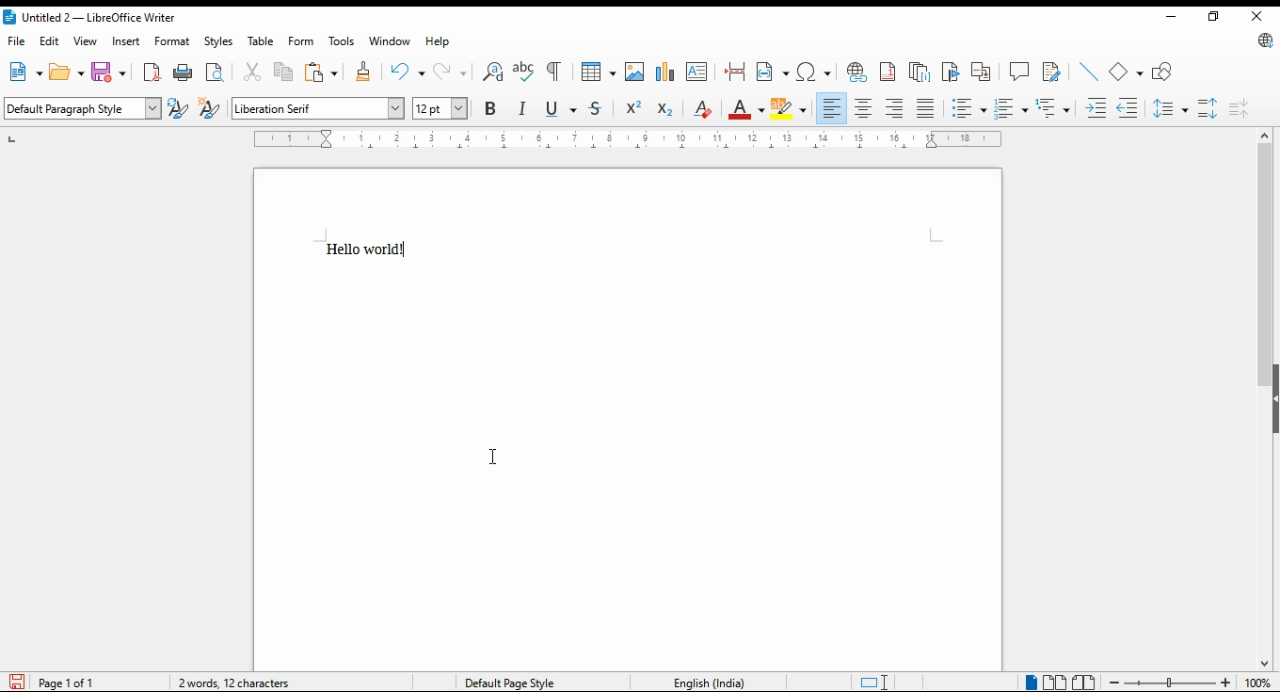 This screenshot has width=1280, height=692. Describe the element at coordinates (490, 456) in the screenshot. I see `mouse pointer` at that location.